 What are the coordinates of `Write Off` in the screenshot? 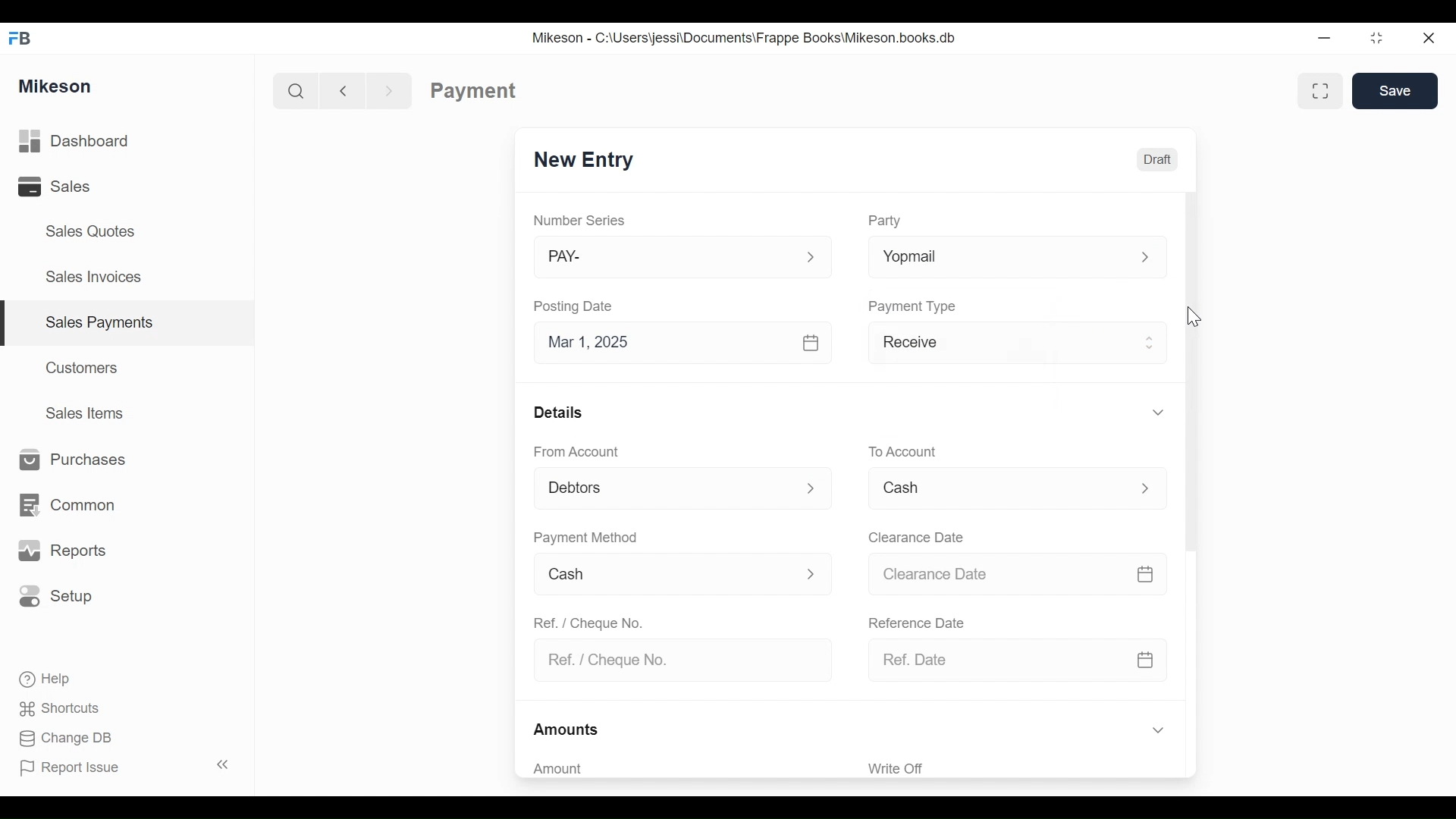 It's located at (896, 768).